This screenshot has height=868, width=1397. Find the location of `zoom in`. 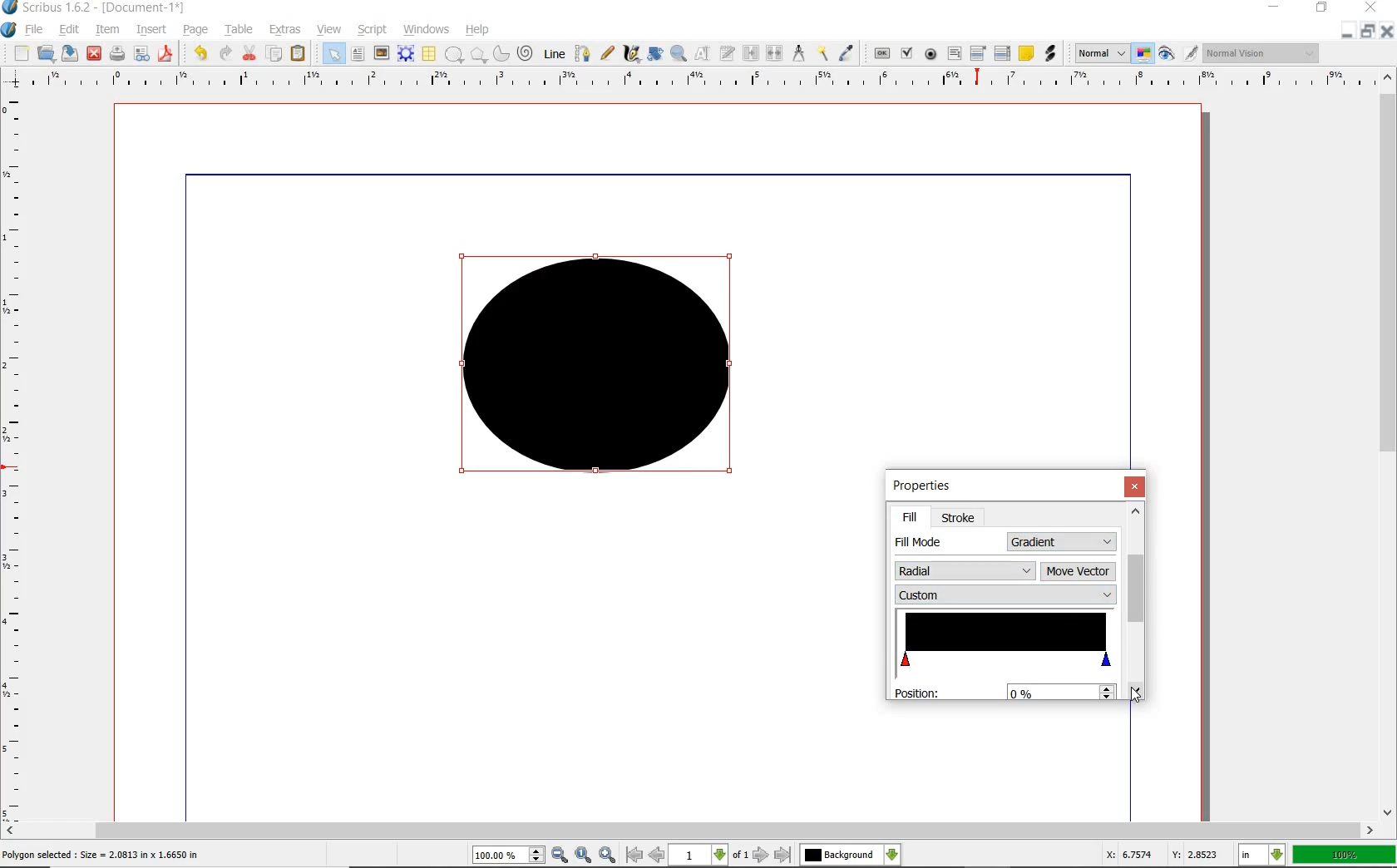

zoom in is located at coordinates (609, 854).